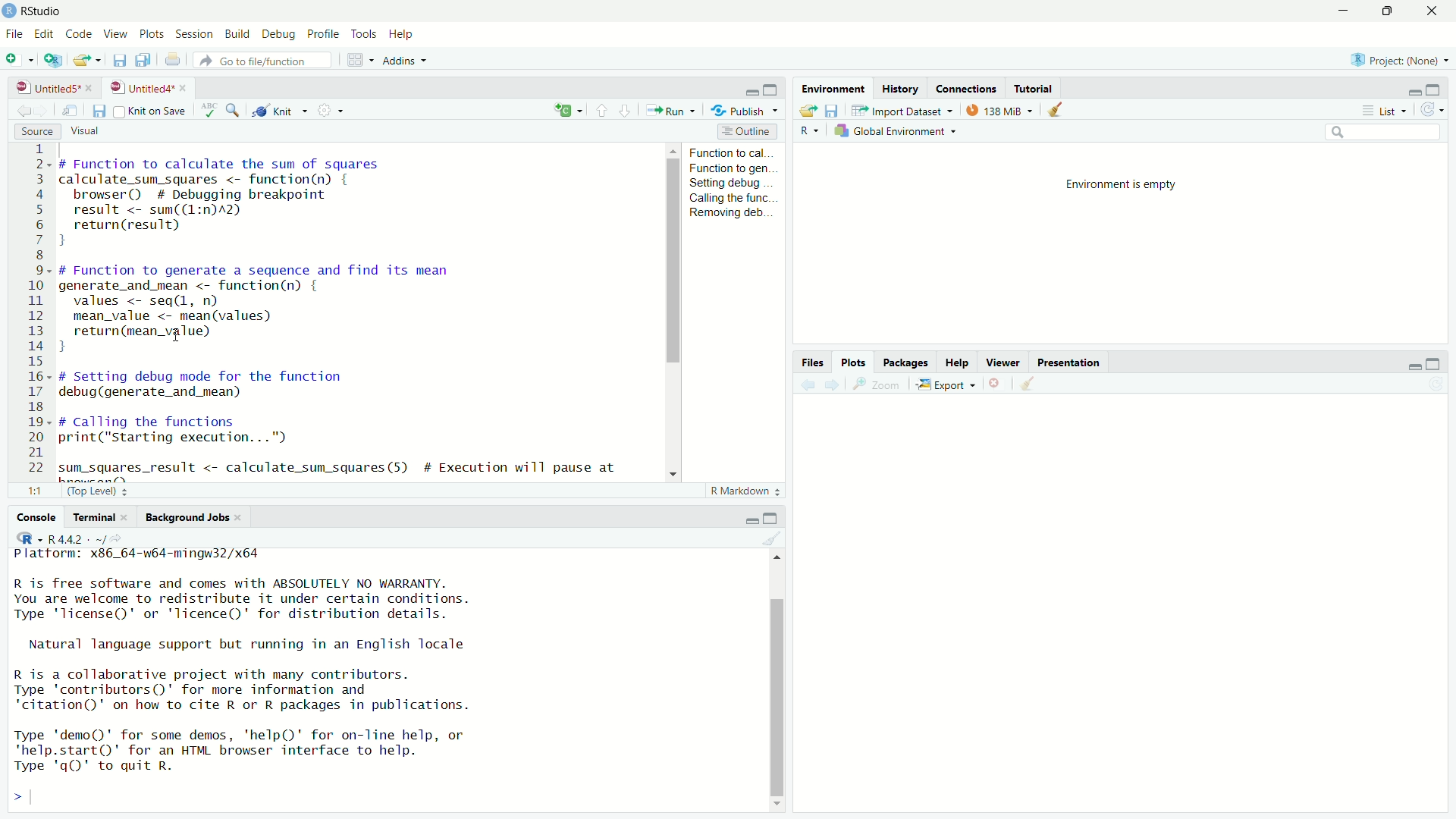  What do you see at coordinates (1345, 10) in the screenshot?
I see `minimize` at bounding box center [1345, 10].